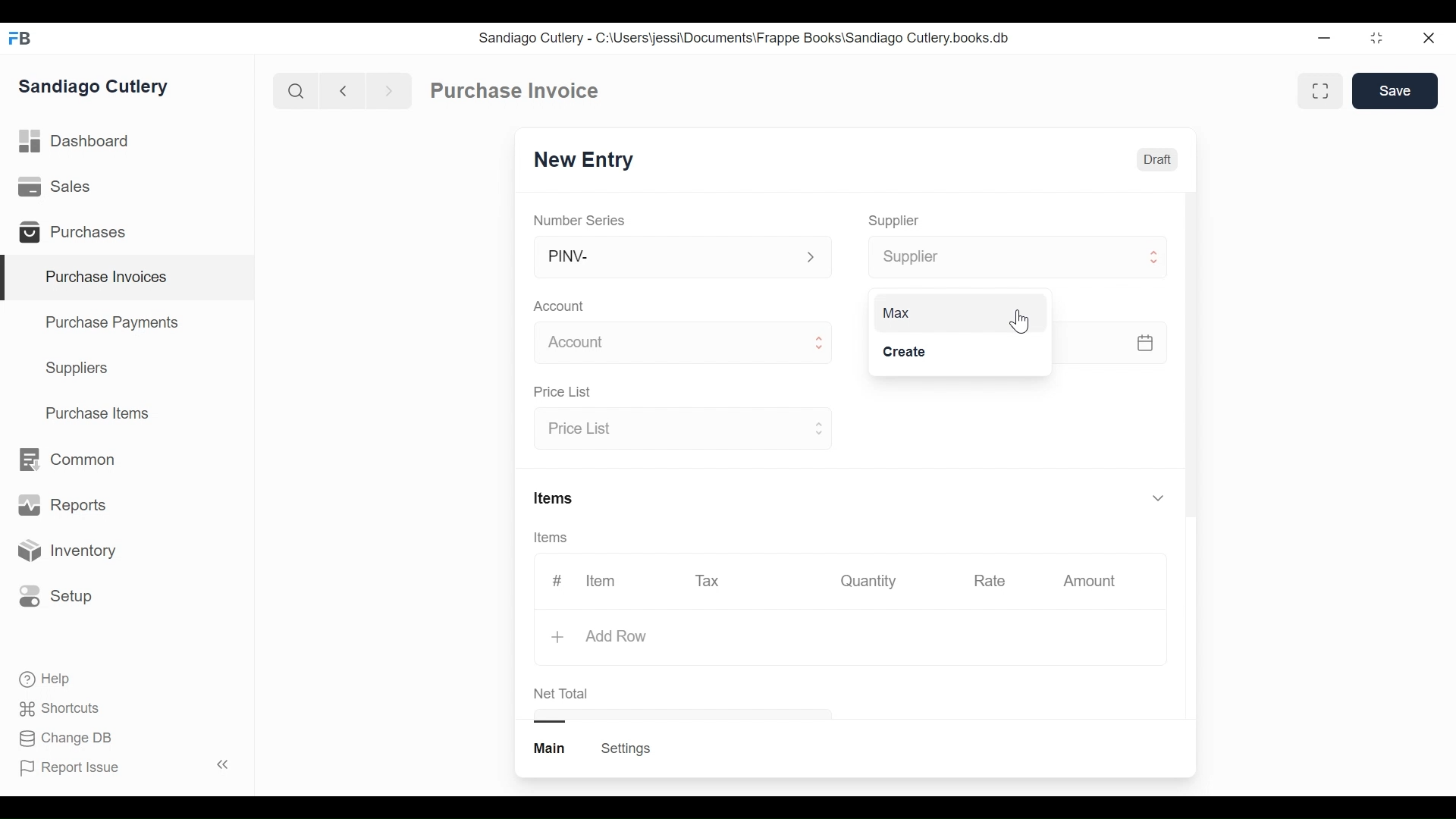 The height and width of the screenshot is (819, 1456). I want to click on Toggle between form and full view, so click(1321, 91).